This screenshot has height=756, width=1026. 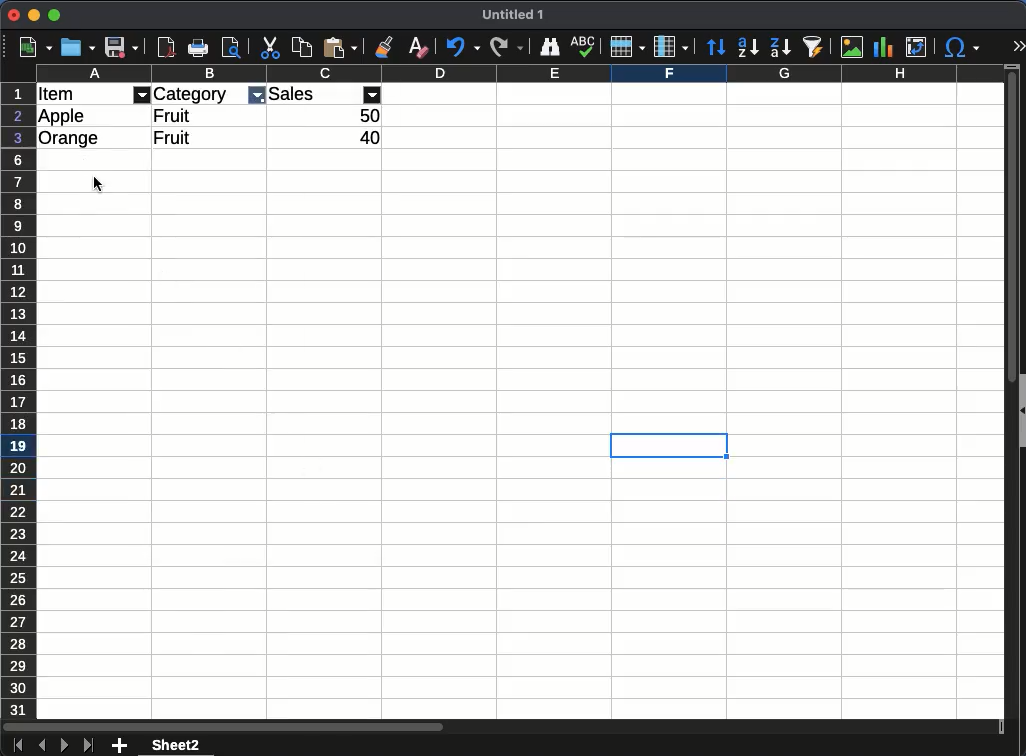 What do you see at coordinates (197, 47) in the screenshot?
I see `print` at bounding box center [197, 47].